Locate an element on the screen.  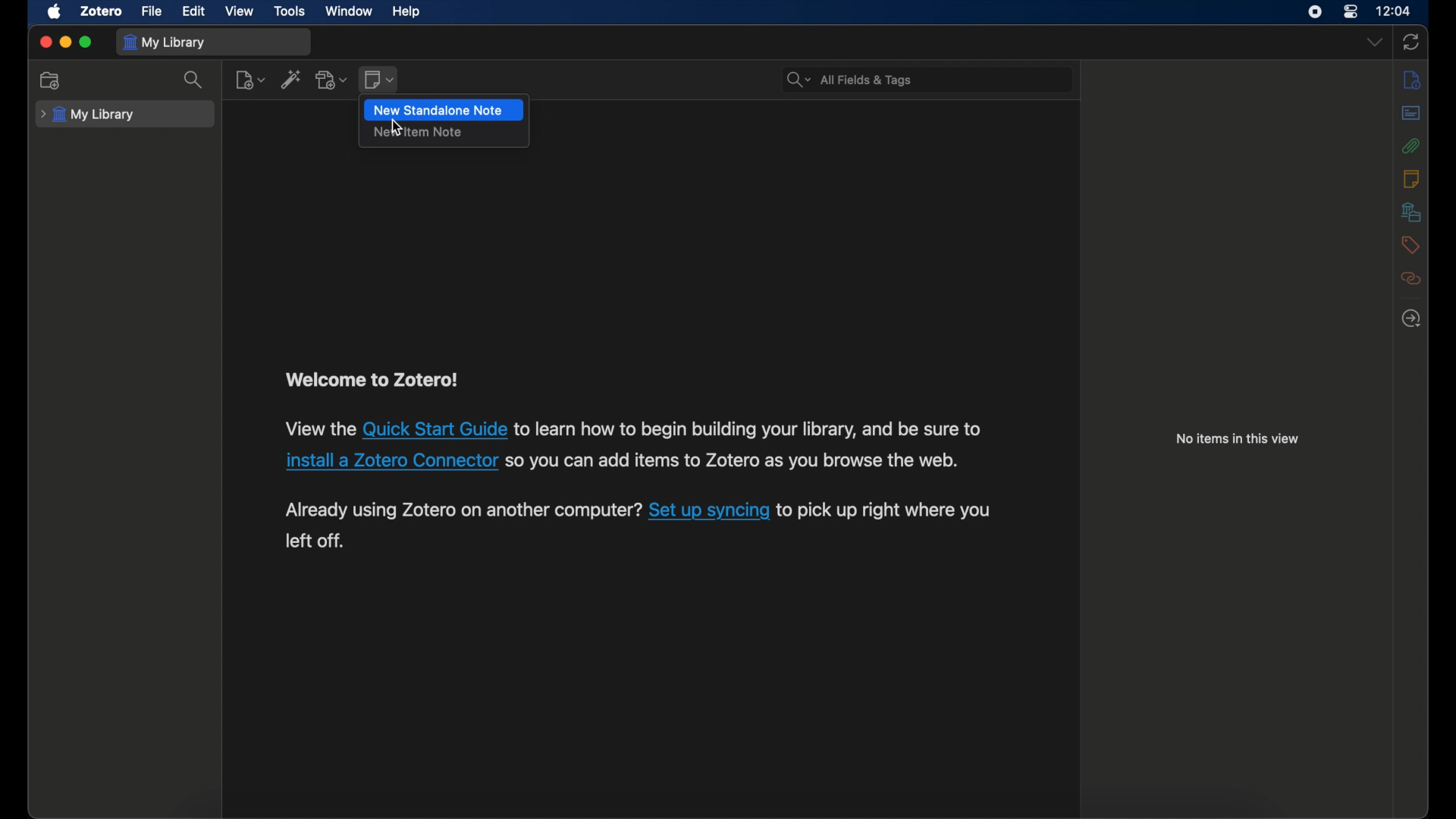
time is located at coordinates (1393, 11).